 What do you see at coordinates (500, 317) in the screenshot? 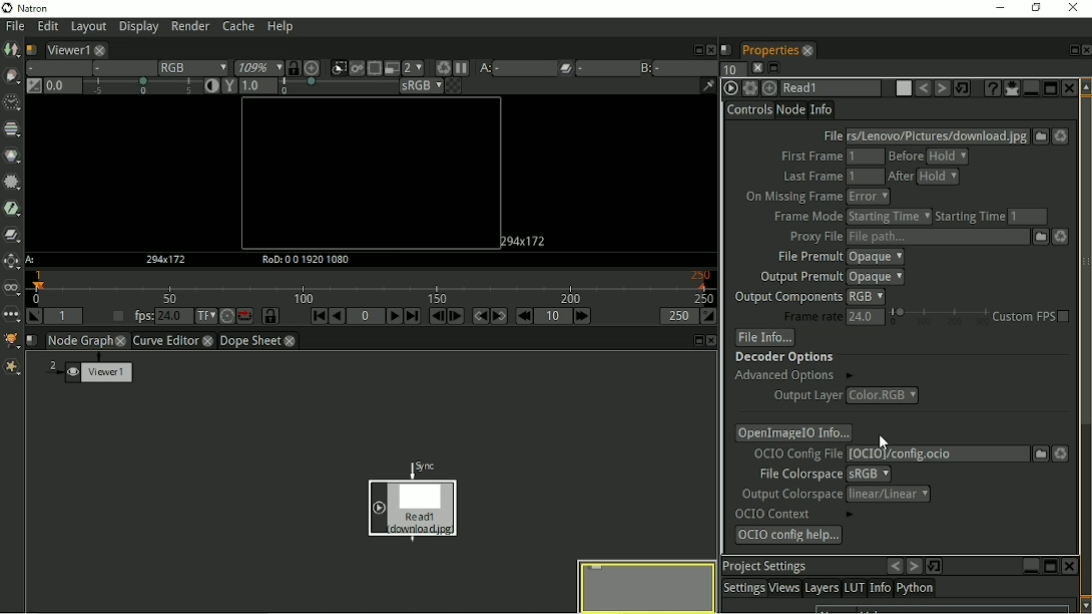
I see `Next keyframe` at bounding box center [500, 317].